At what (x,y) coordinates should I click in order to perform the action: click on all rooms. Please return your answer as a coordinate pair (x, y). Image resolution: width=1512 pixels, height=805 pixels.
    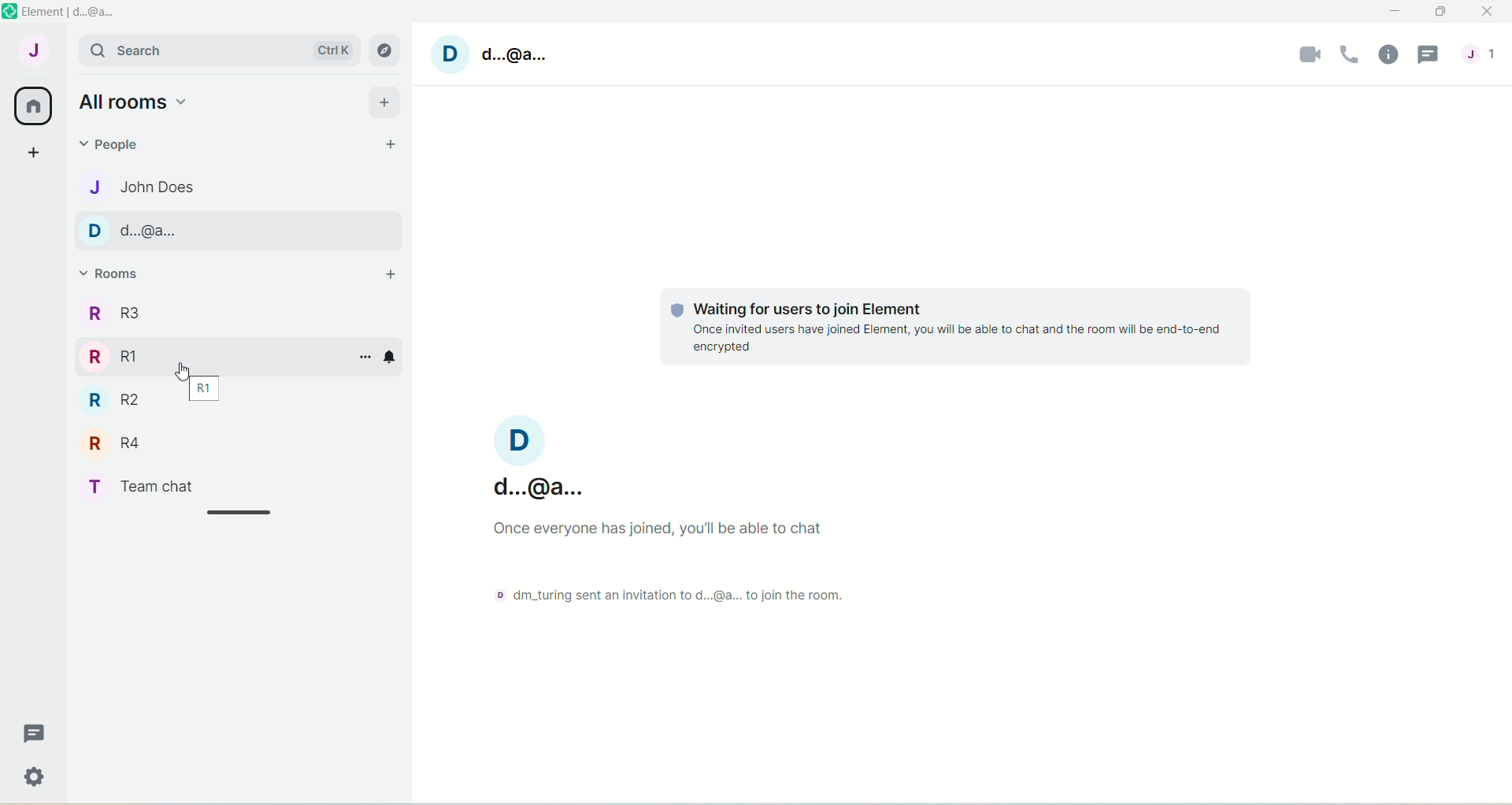
    Looking at the image, I should click on (34, 107).